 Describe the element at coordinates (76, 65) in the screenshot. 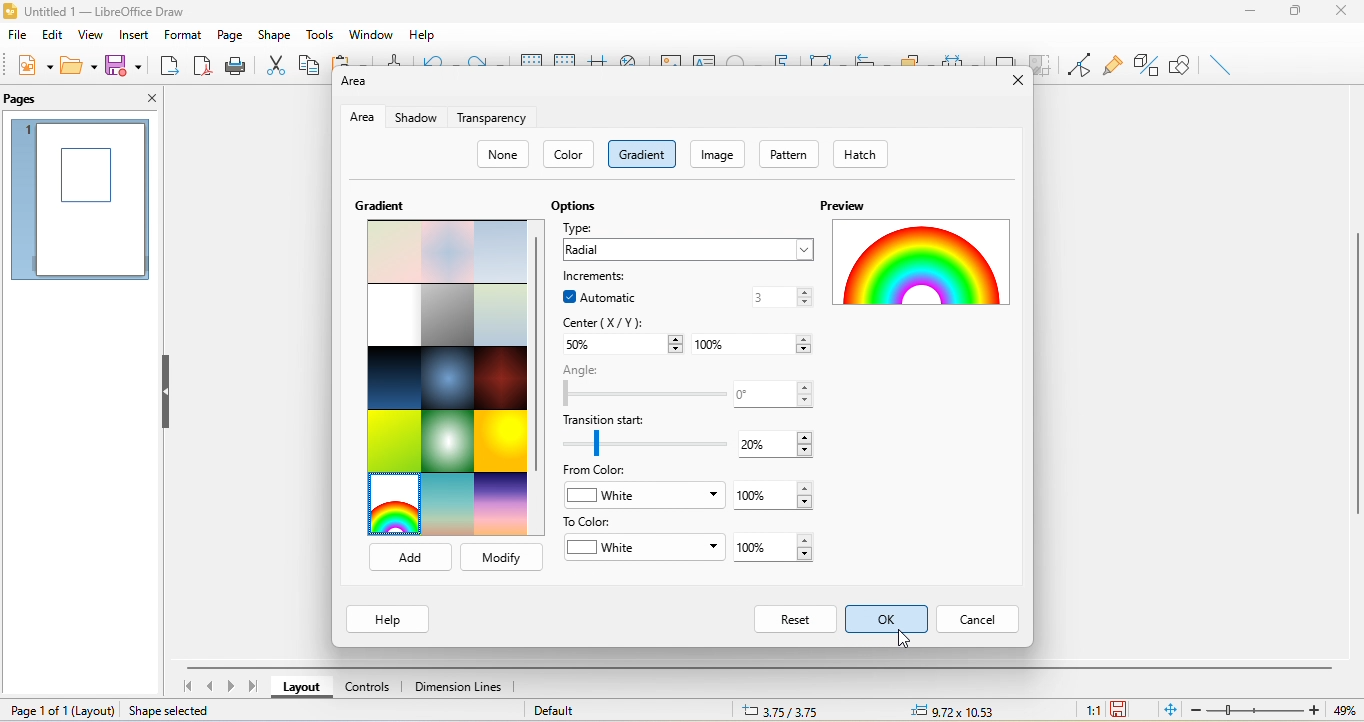

I see `open` at that location.